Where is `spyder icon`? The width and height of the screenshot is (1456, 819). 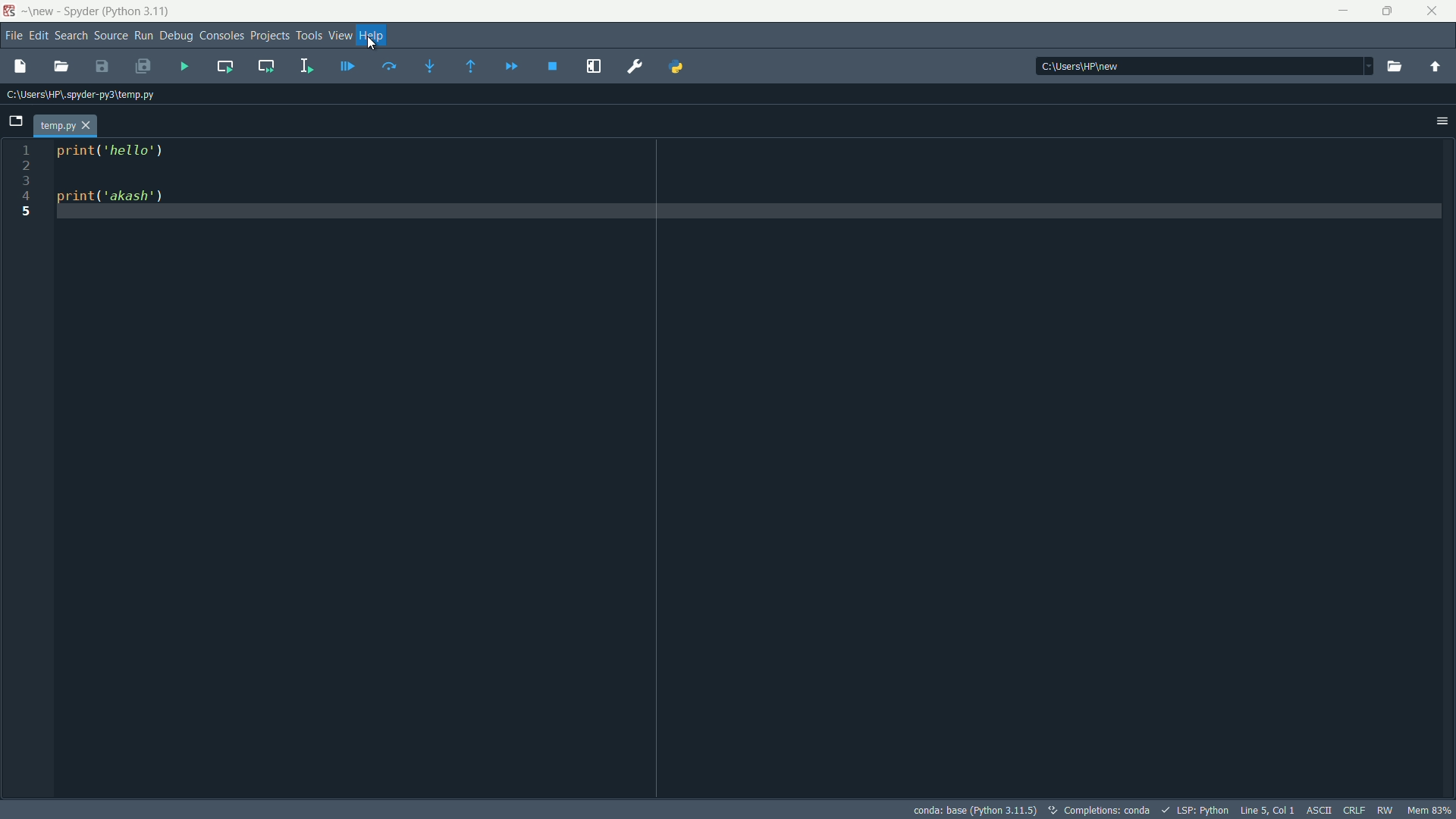 spyder icon is located at coordinates (11, 11).